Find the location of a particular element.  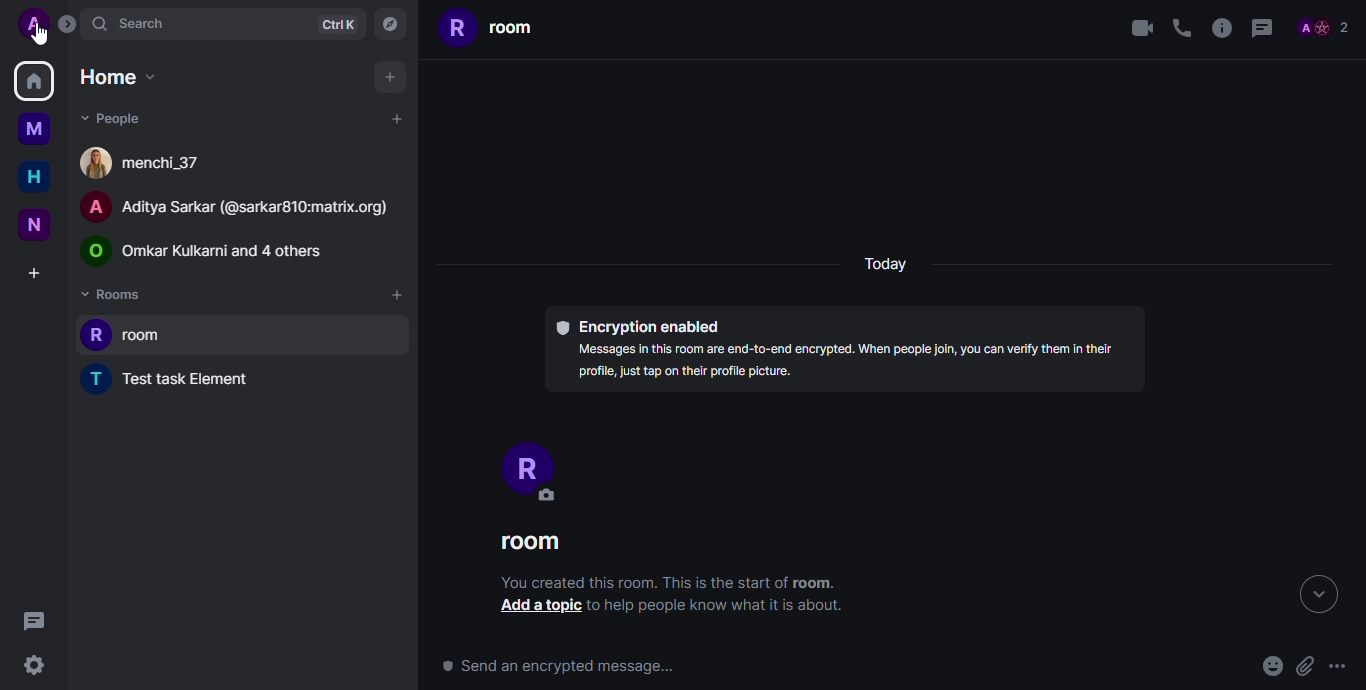

add room is located at coordinates (397, 294).